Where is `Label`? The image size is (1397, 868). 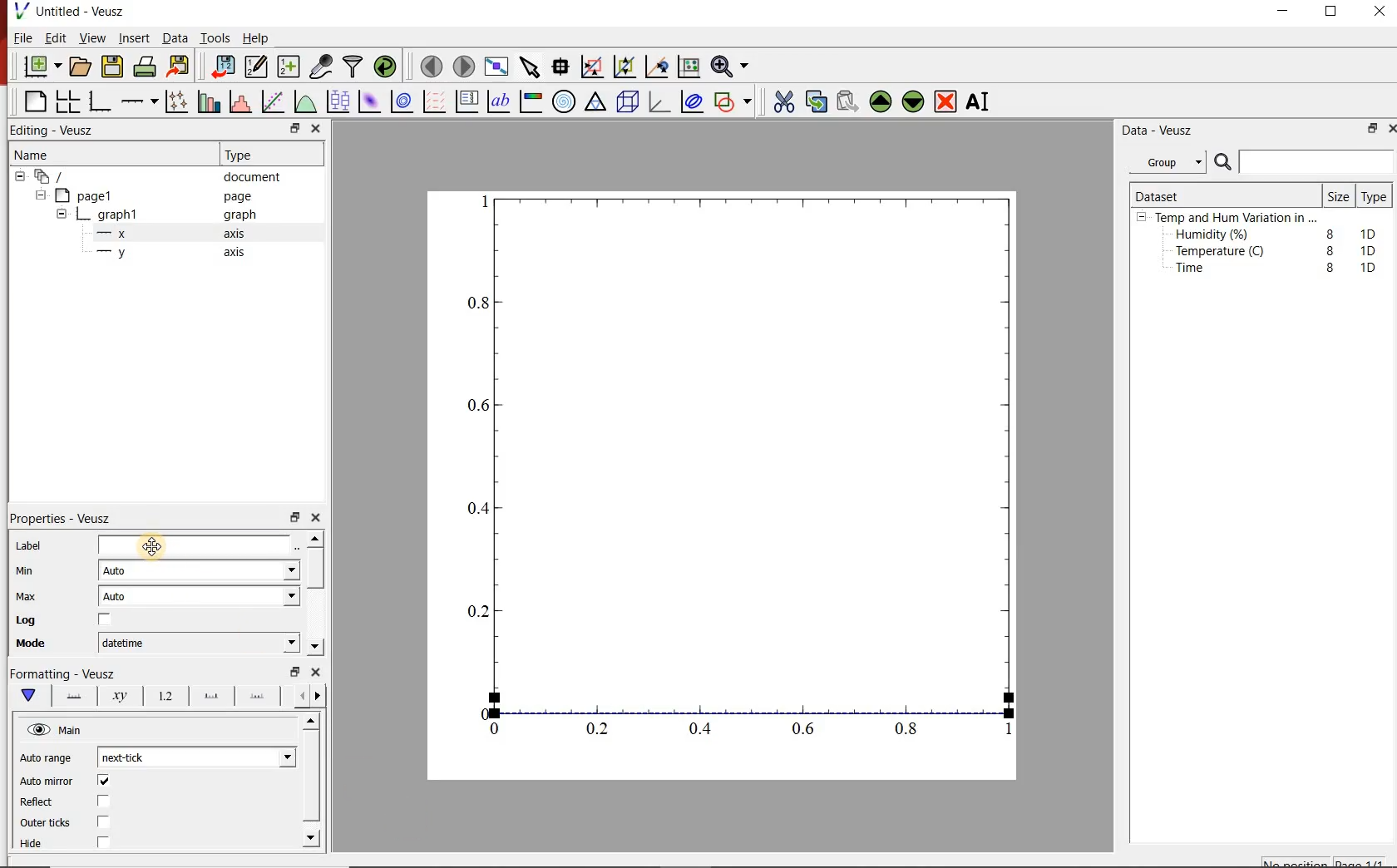 Label is located at coordinates (148, 544).